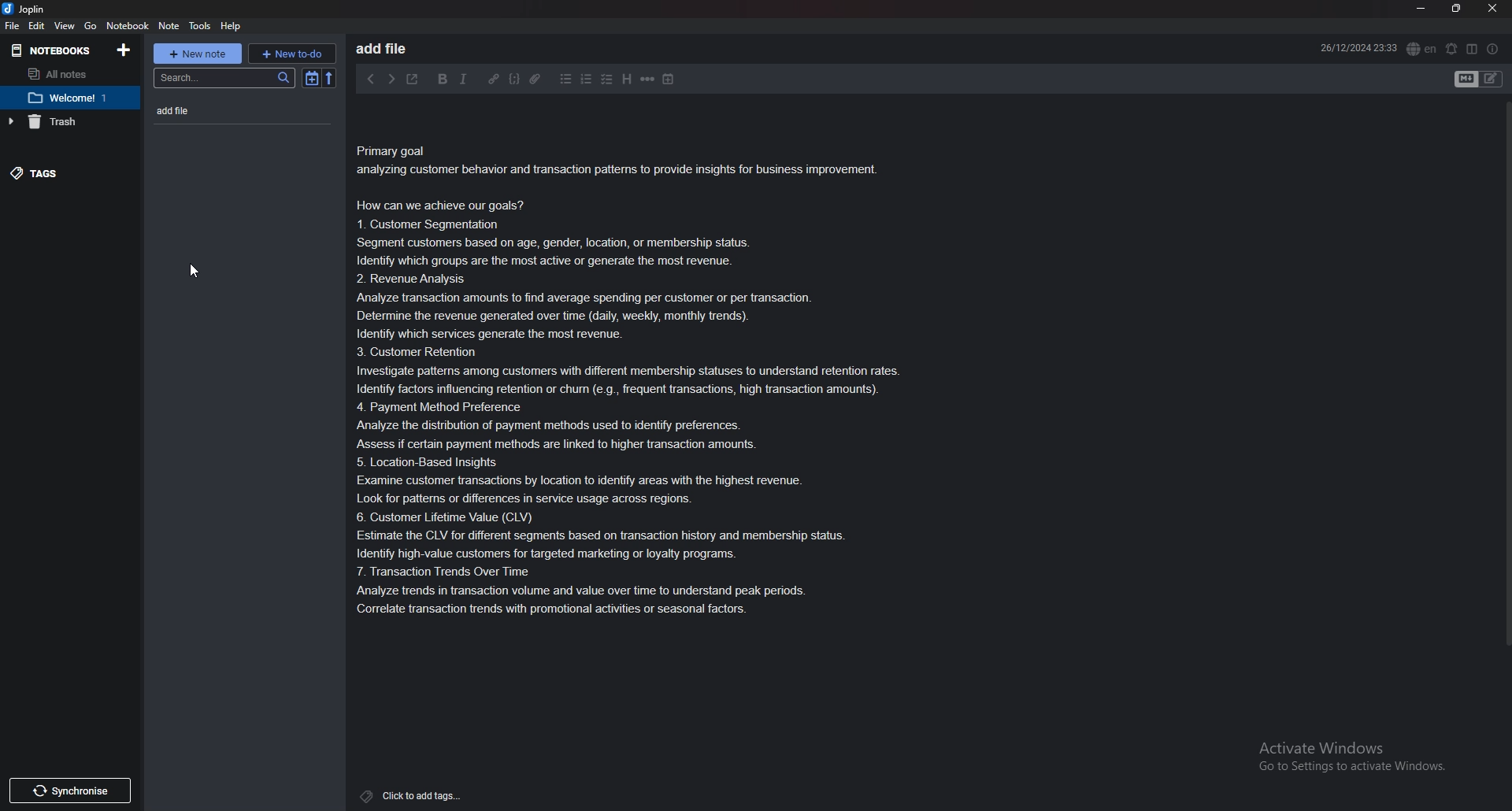 This screenshot has width=1512, height=811. What do you see at coordinates (330, 78) in the screenshot?
I see `Reverse sort order` at bounding box center [330, 78].